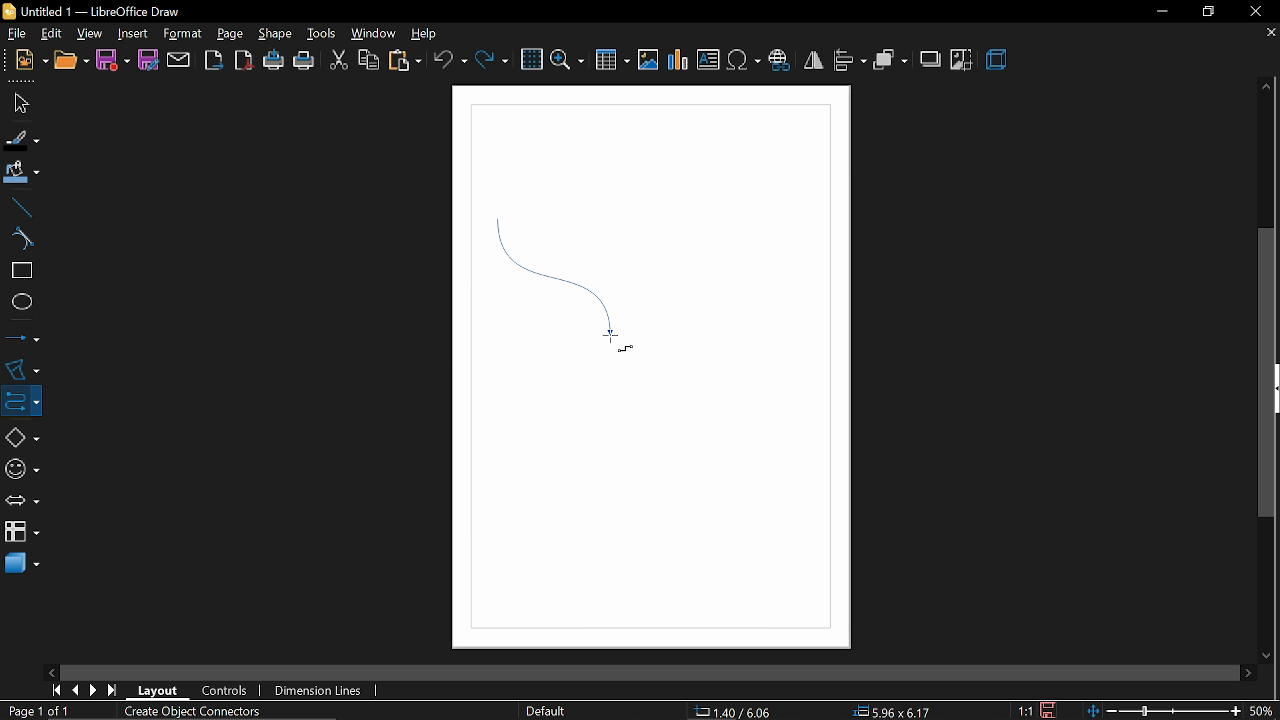 The height and width of the screenshot is (720, 1280). Describe the element at coordinates (740, 712) in the screenshot. I see `1.40/6.06` at that location.